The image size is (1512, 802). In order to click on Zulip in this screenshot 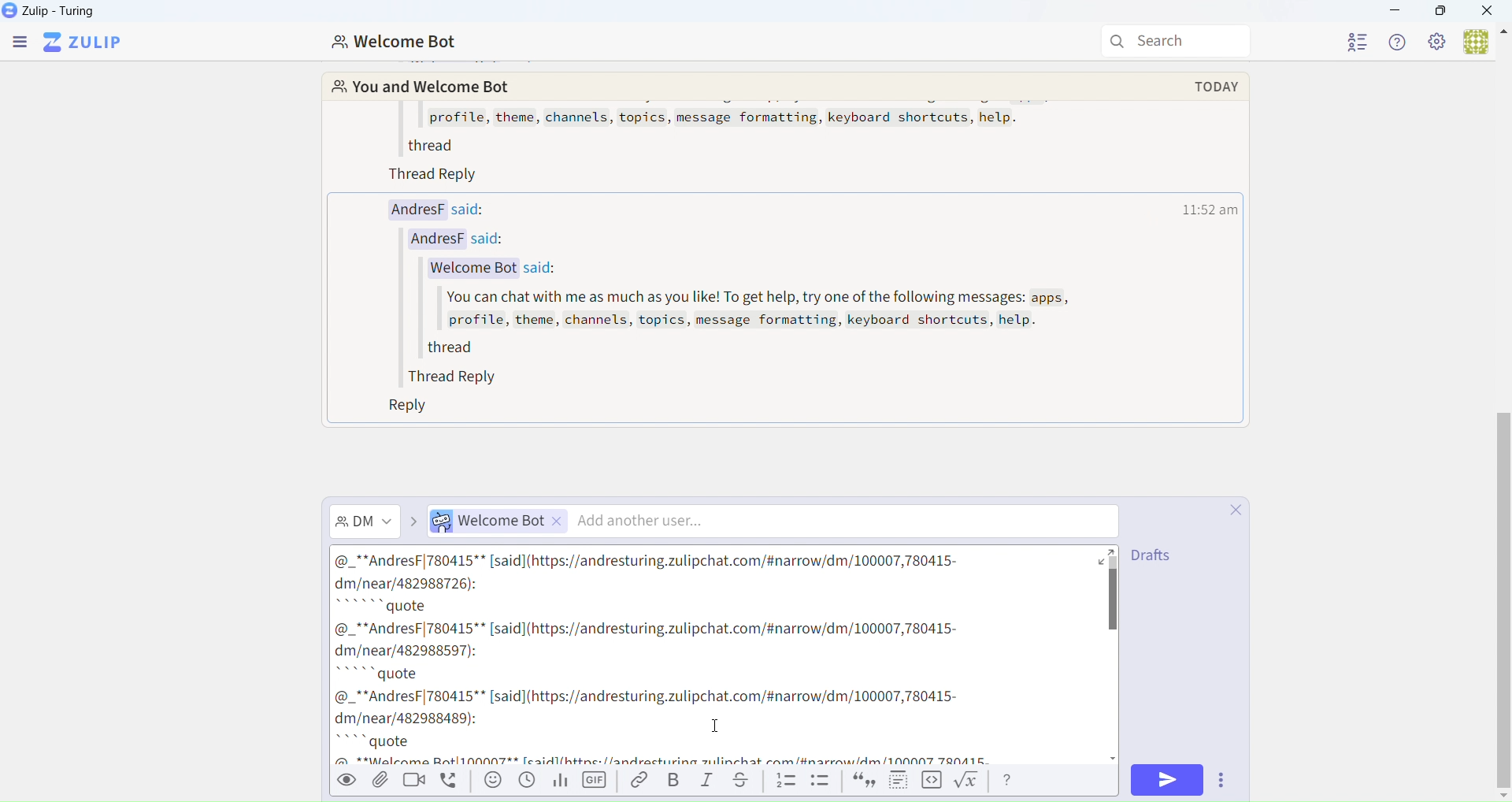, I will do `click(85, 45)`.